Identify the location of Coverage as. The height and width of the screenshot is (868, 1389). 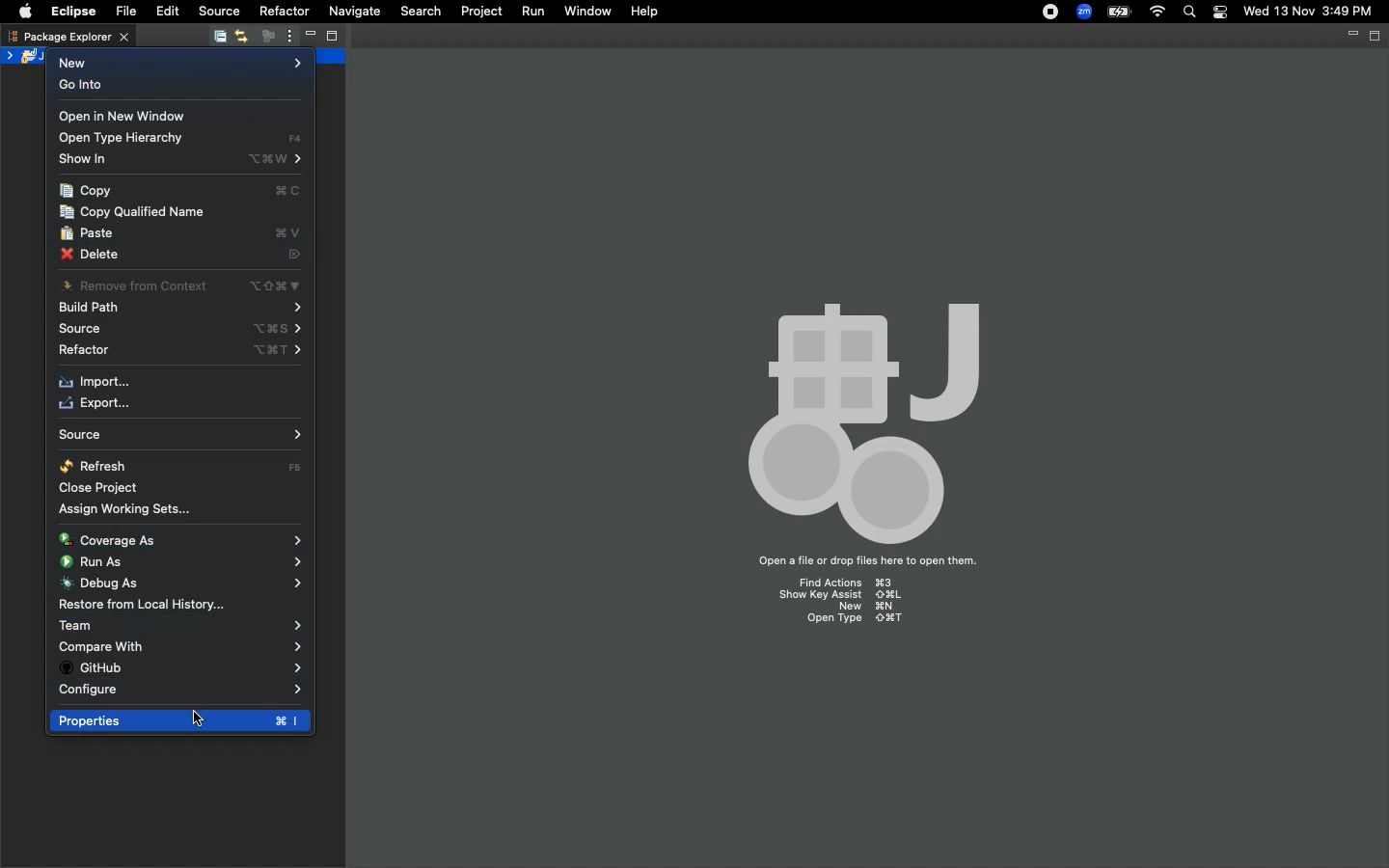
(182, 541).